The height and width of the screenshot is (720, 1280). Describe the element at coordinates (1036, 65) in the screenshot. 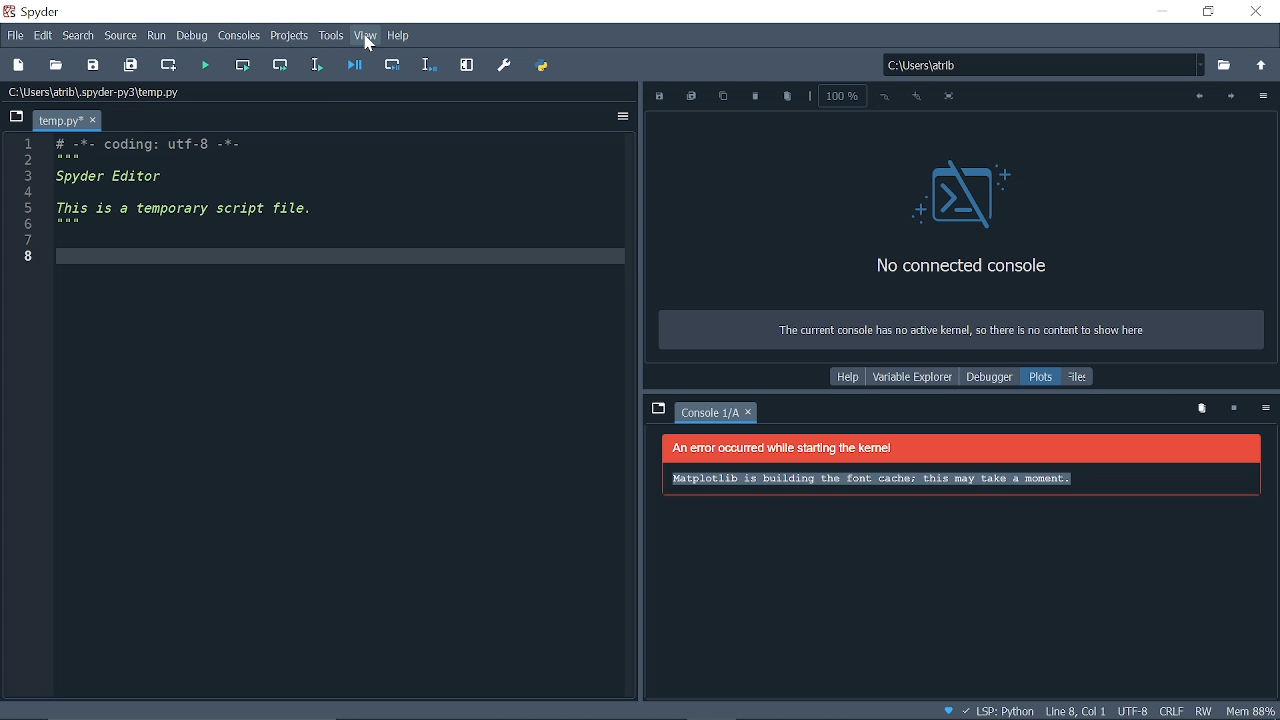

I see `` at that location.